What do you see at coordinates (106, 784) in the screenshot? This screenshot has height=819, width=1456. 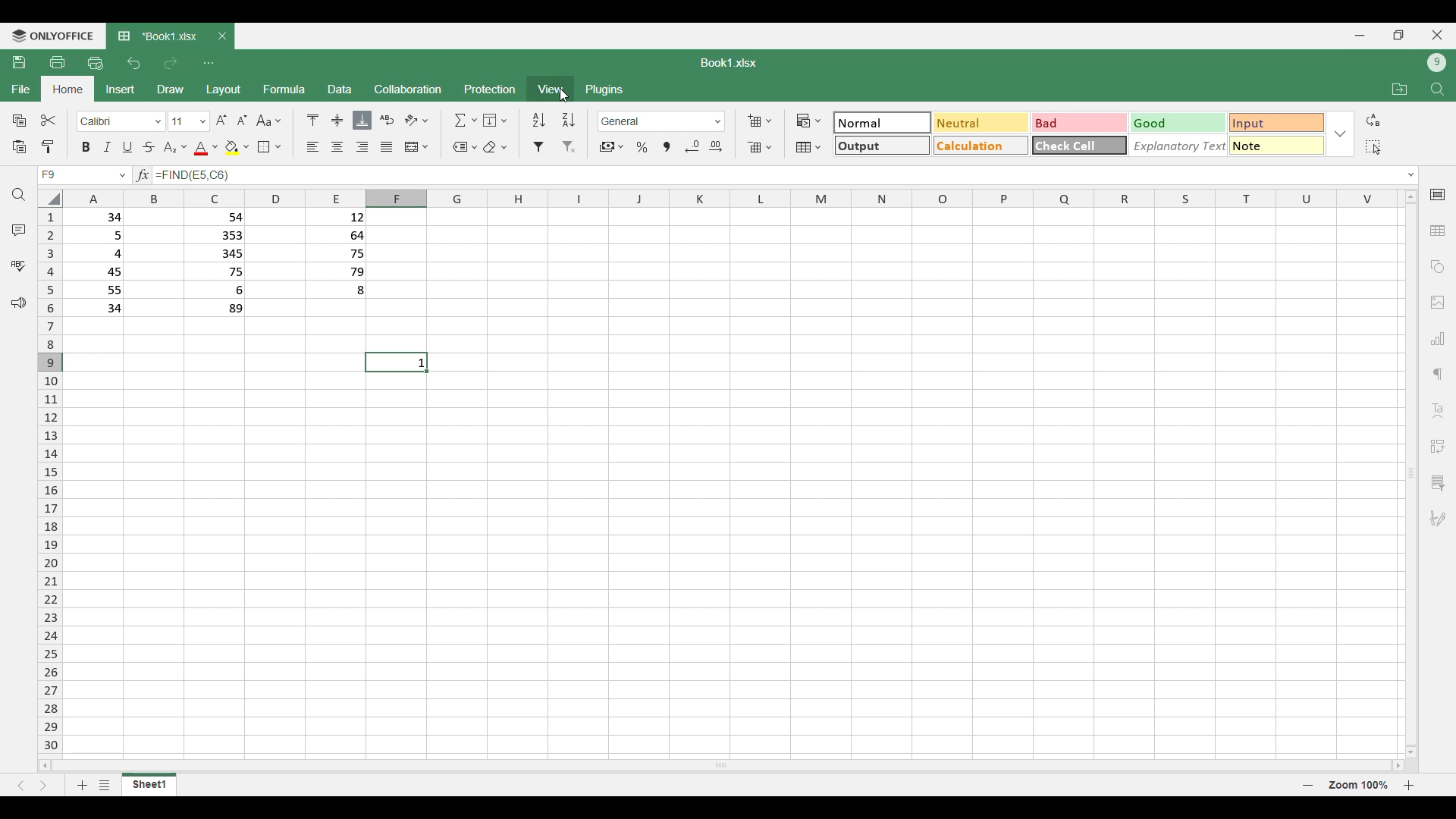 I see `List of sheets` at bounding box center [106, 784].